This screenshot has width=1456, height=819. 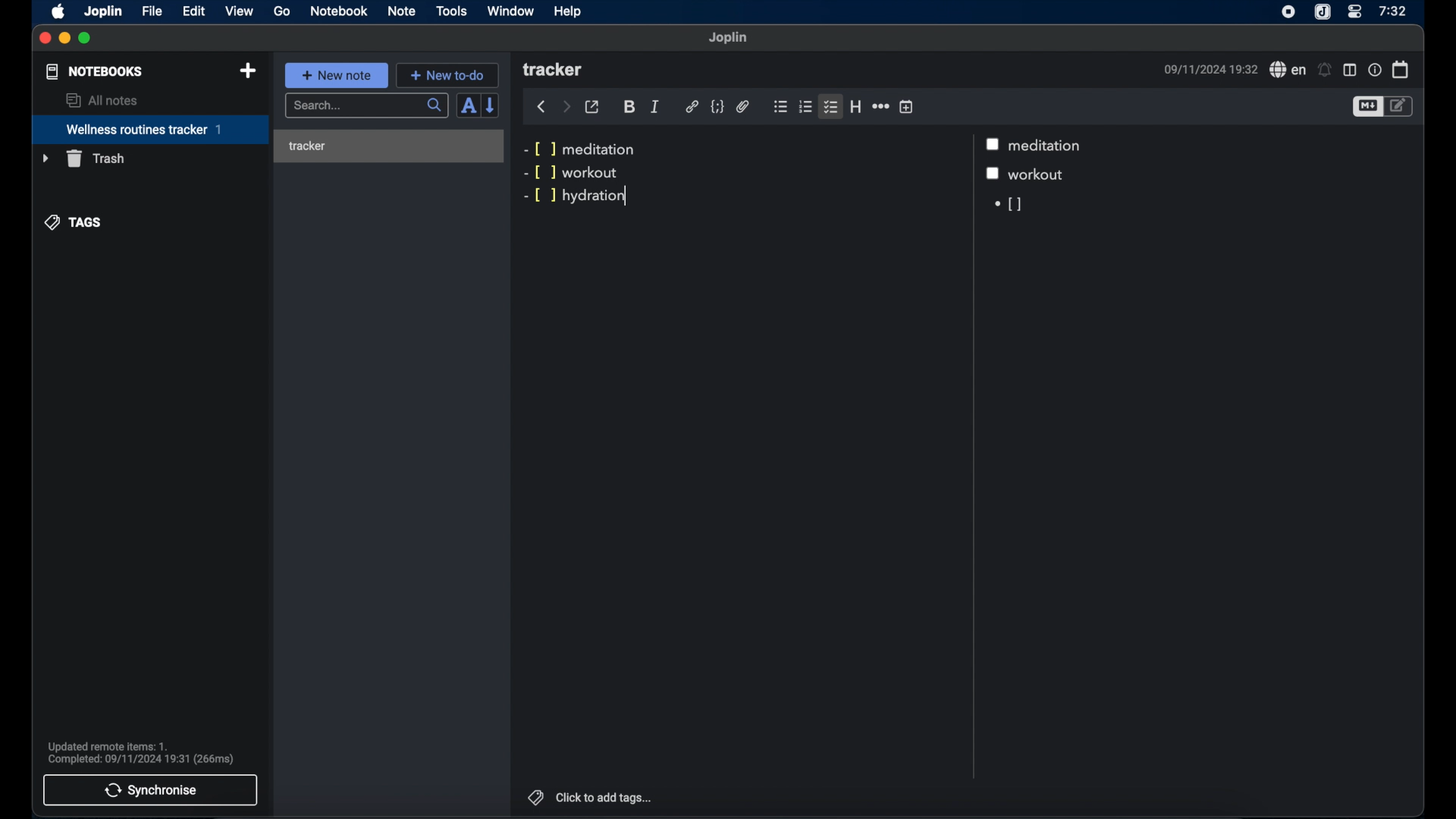 What do you see at coordinates (239, 11) in the screenshot?
I see `view` at bounding box center [239, 11].